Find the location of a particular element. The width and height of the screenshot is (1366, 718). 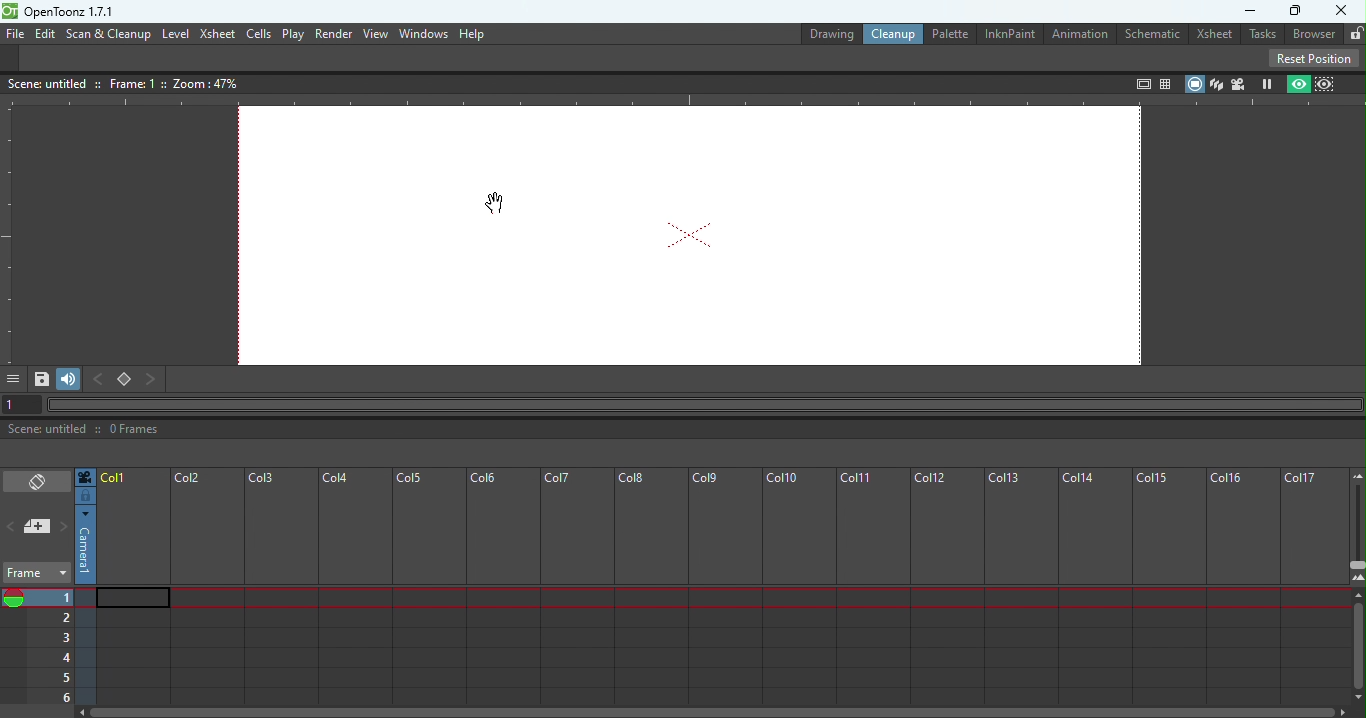

Animation is located at coordinates (1082, 35).